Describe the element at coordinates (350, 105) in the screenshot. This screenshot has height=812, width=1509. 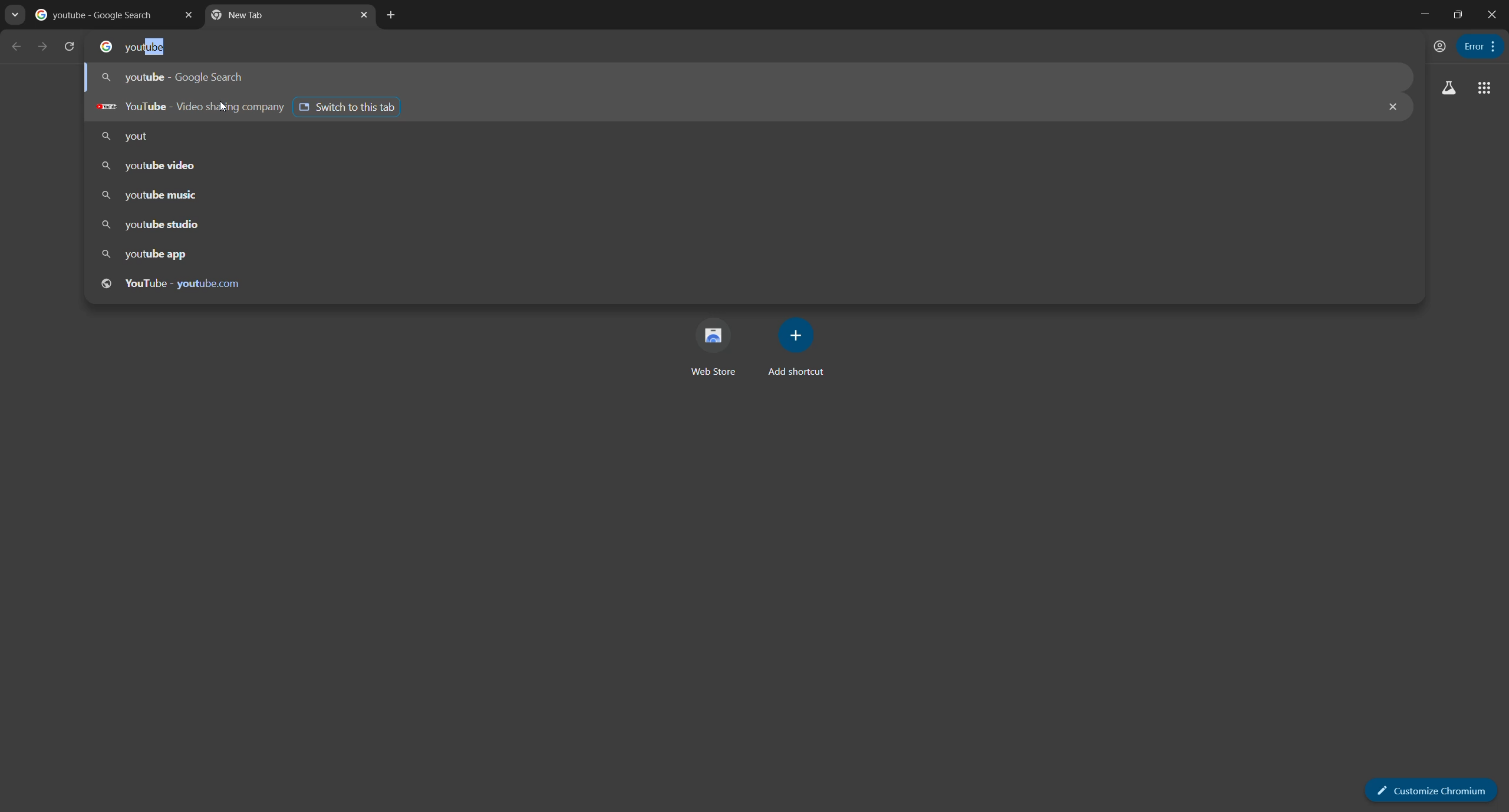
I see `switch to this tab` at that location.